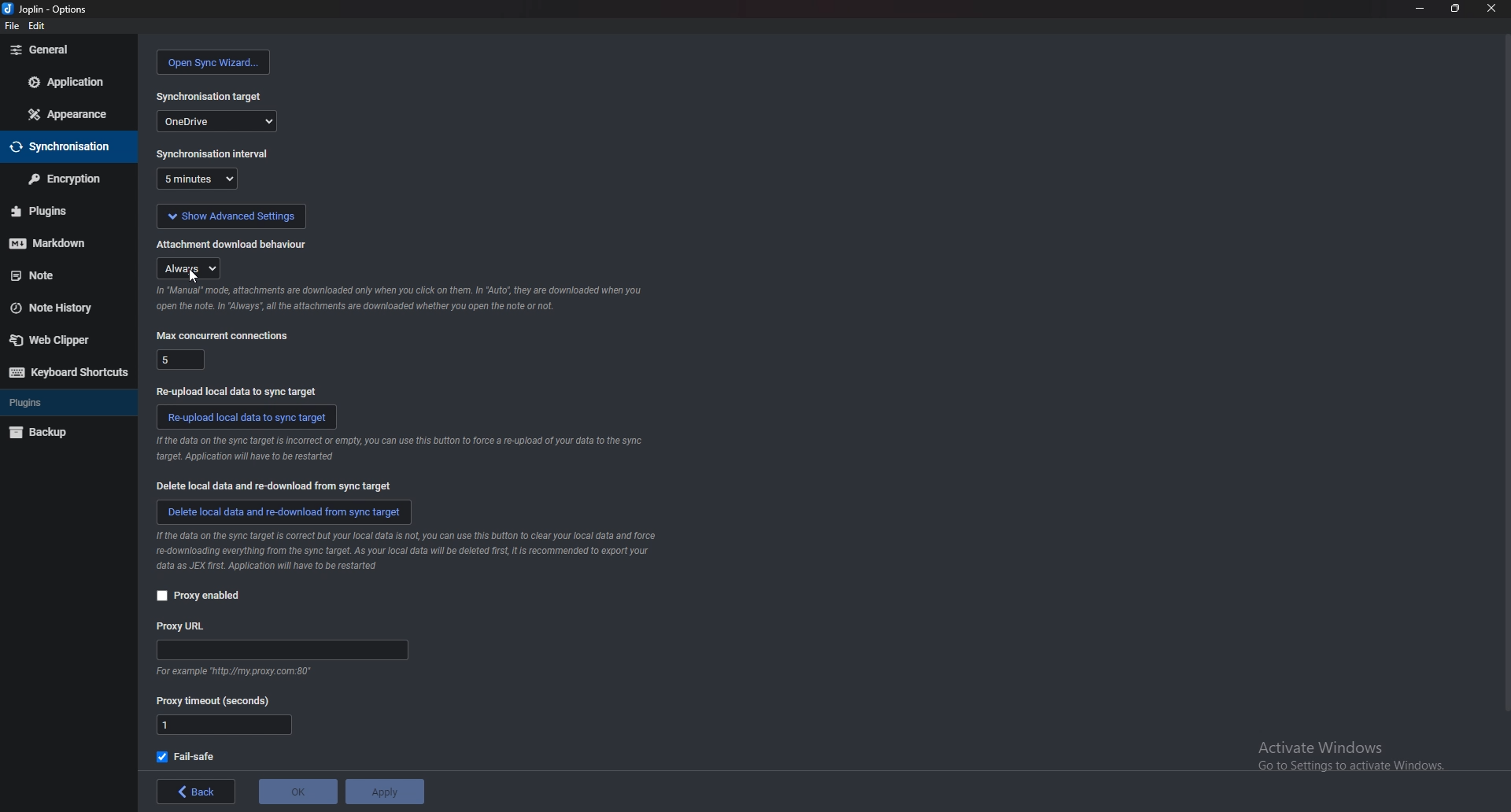 This screenshot has height=812, width=1511. Describe the element at coordinates (275, 485) in the screenshot. I see `delete local data` at that location.